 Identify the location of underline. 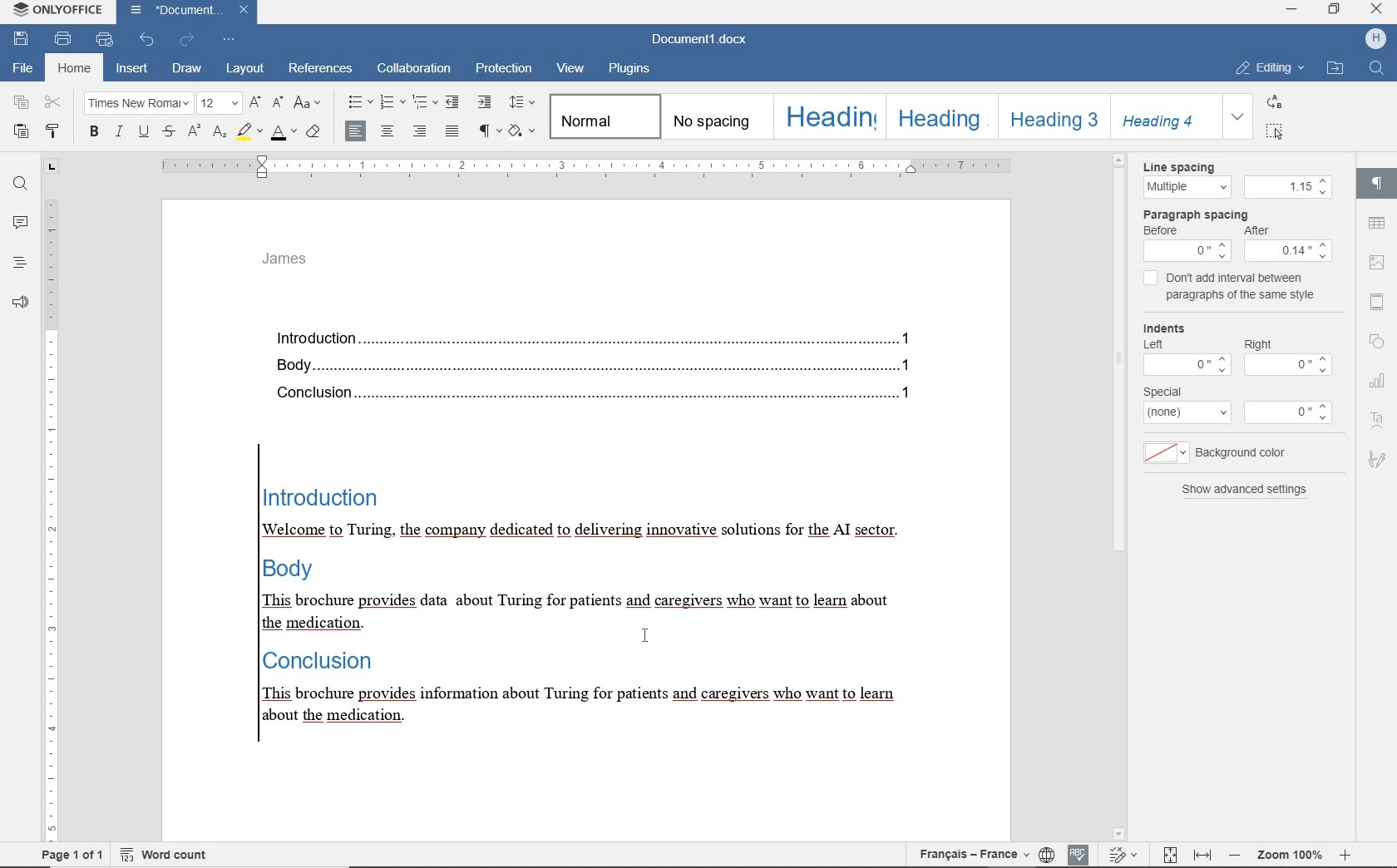
(146, 133).